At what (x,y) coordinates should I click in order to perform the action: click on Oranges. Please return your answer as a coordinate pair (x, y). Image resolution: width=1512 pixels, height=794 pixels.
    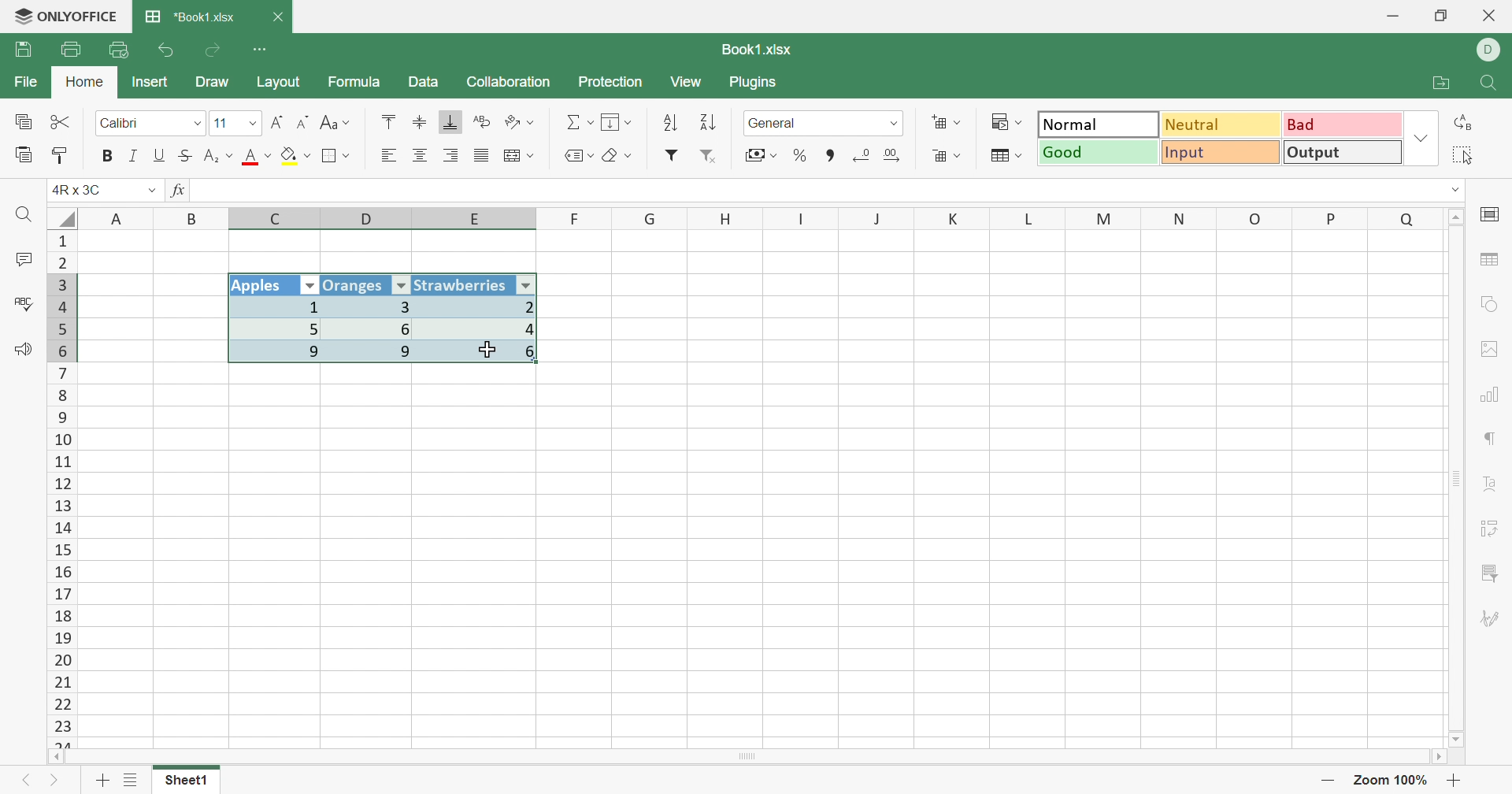
    Looking at the image, I should click on (355, 284).